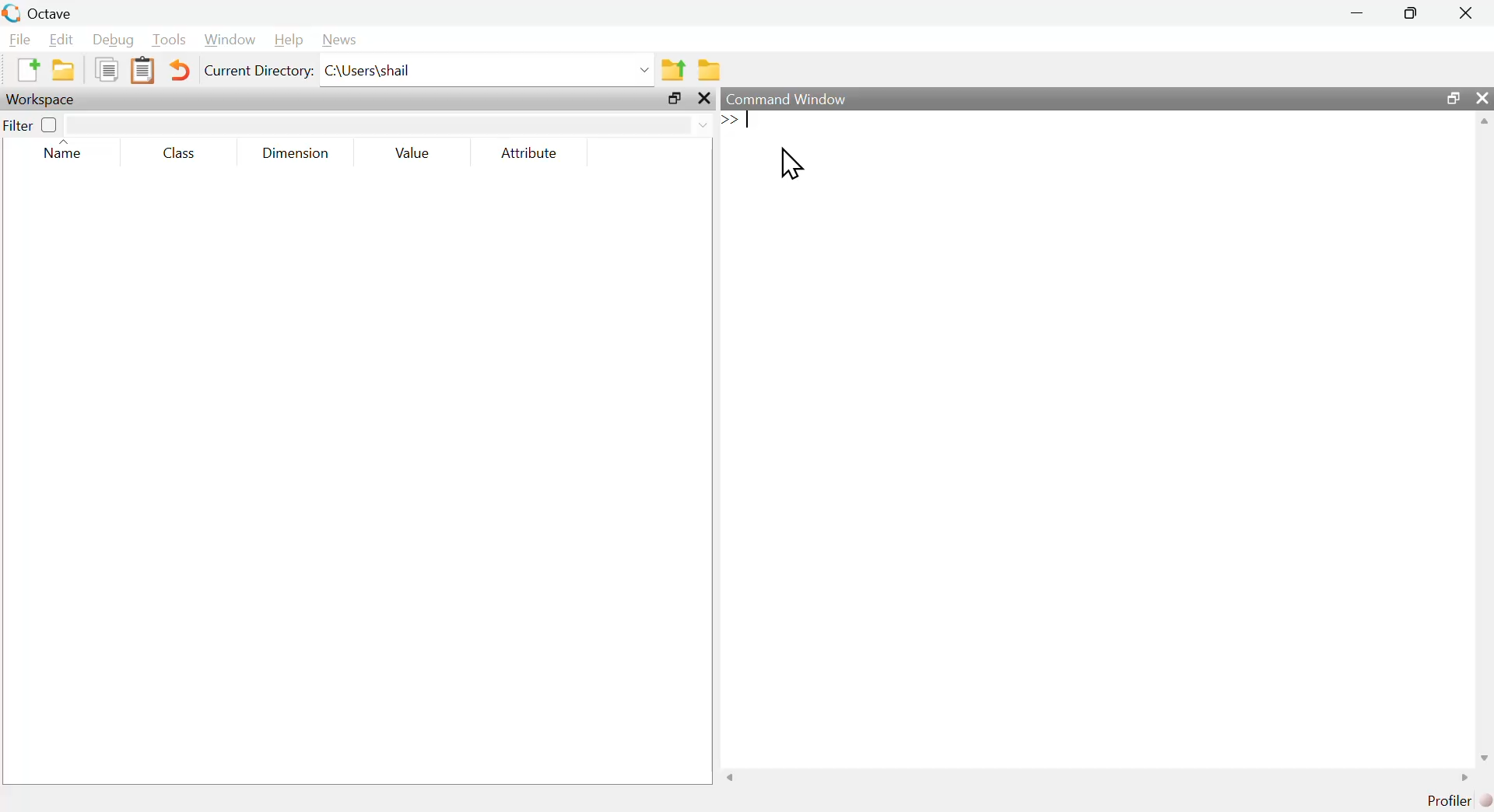 This screenshot has width=1494, height=812. What do you see at coordinates (1485, 438) in the screenshot?
I see `vertical scroll bar` at bounding box center [1485, 438].